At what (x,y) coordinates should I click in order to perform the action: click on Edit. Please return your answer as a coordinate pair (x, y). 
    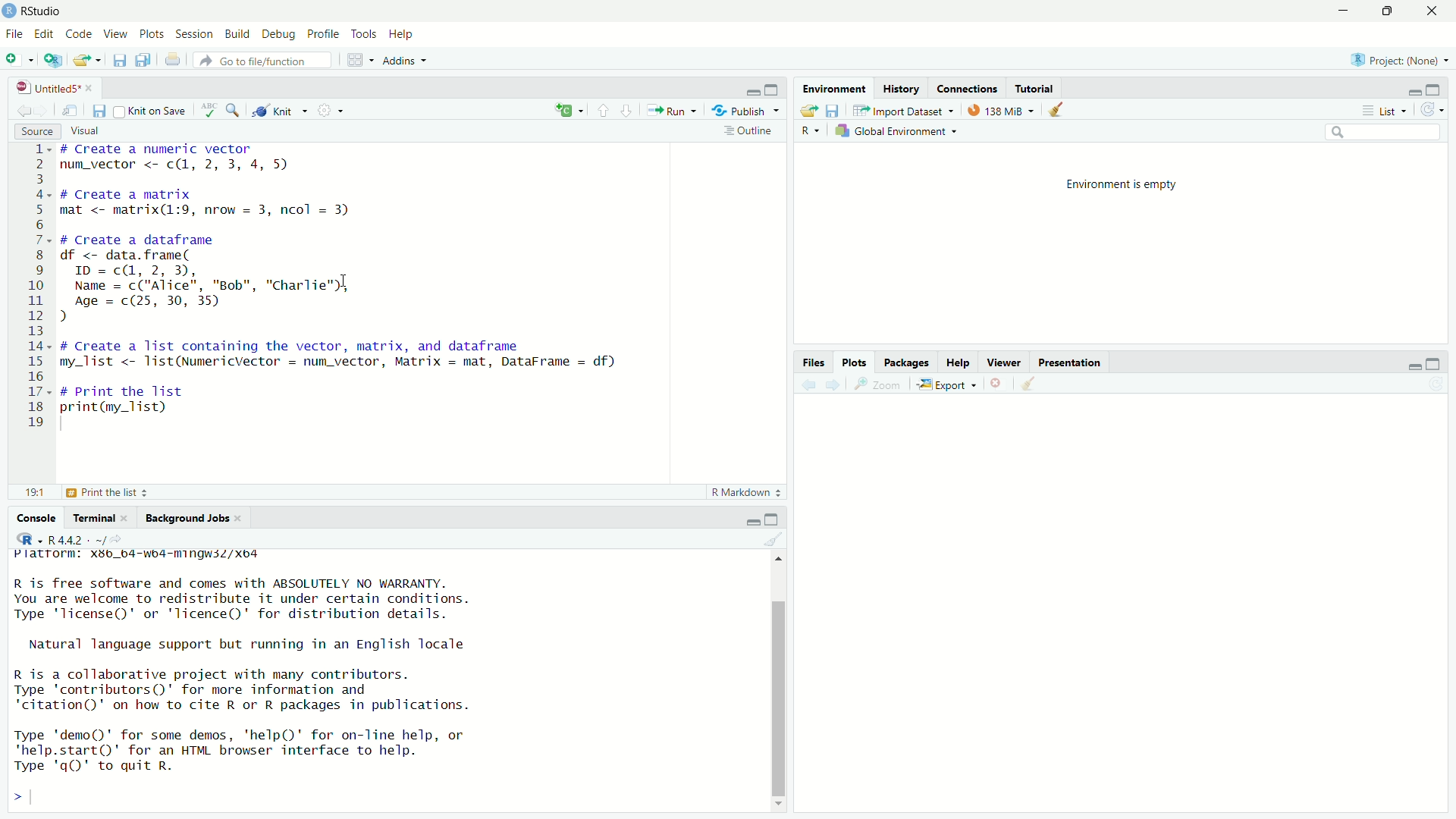
    Looking at the image, I should click on (44, 34).